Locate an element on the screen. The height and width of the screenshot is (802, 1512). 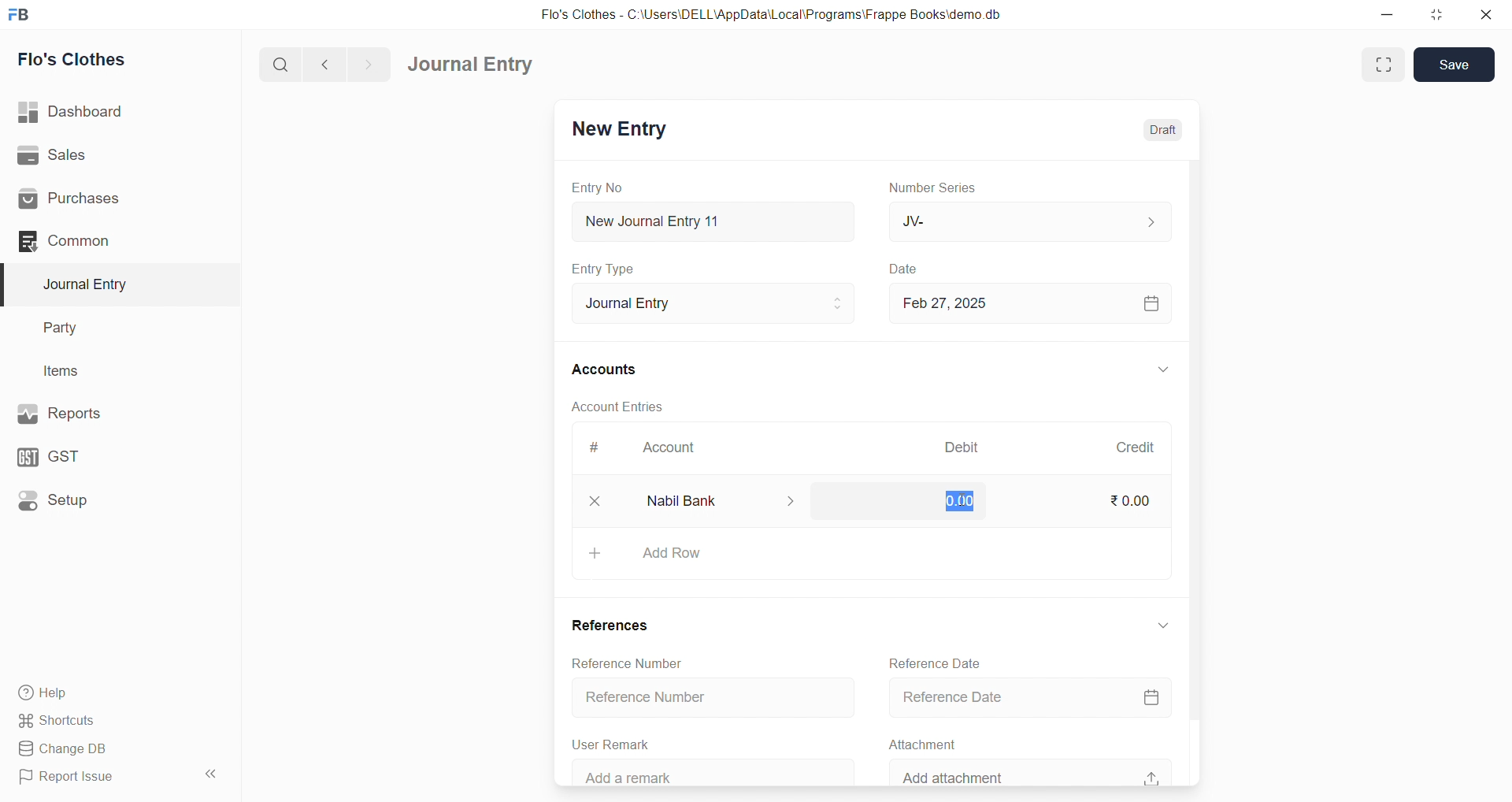
VERTICAL SCROLL BAR is located at coordinates (1192, 472).